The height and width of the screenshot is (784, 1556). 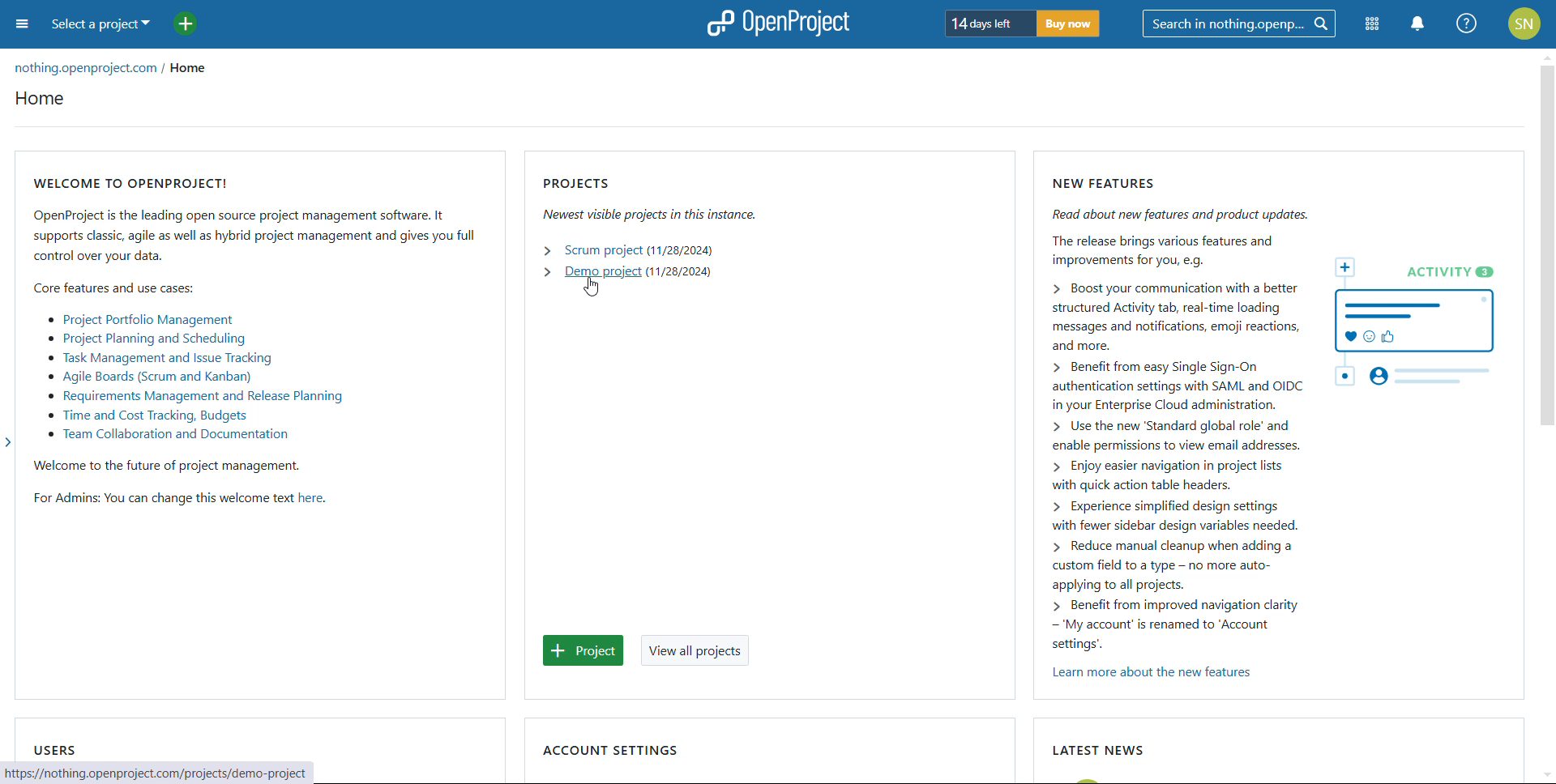 What do you see at coordinates (1373, 24) in the screenshot?
I see `modules` at bounding box center [1373, 24].